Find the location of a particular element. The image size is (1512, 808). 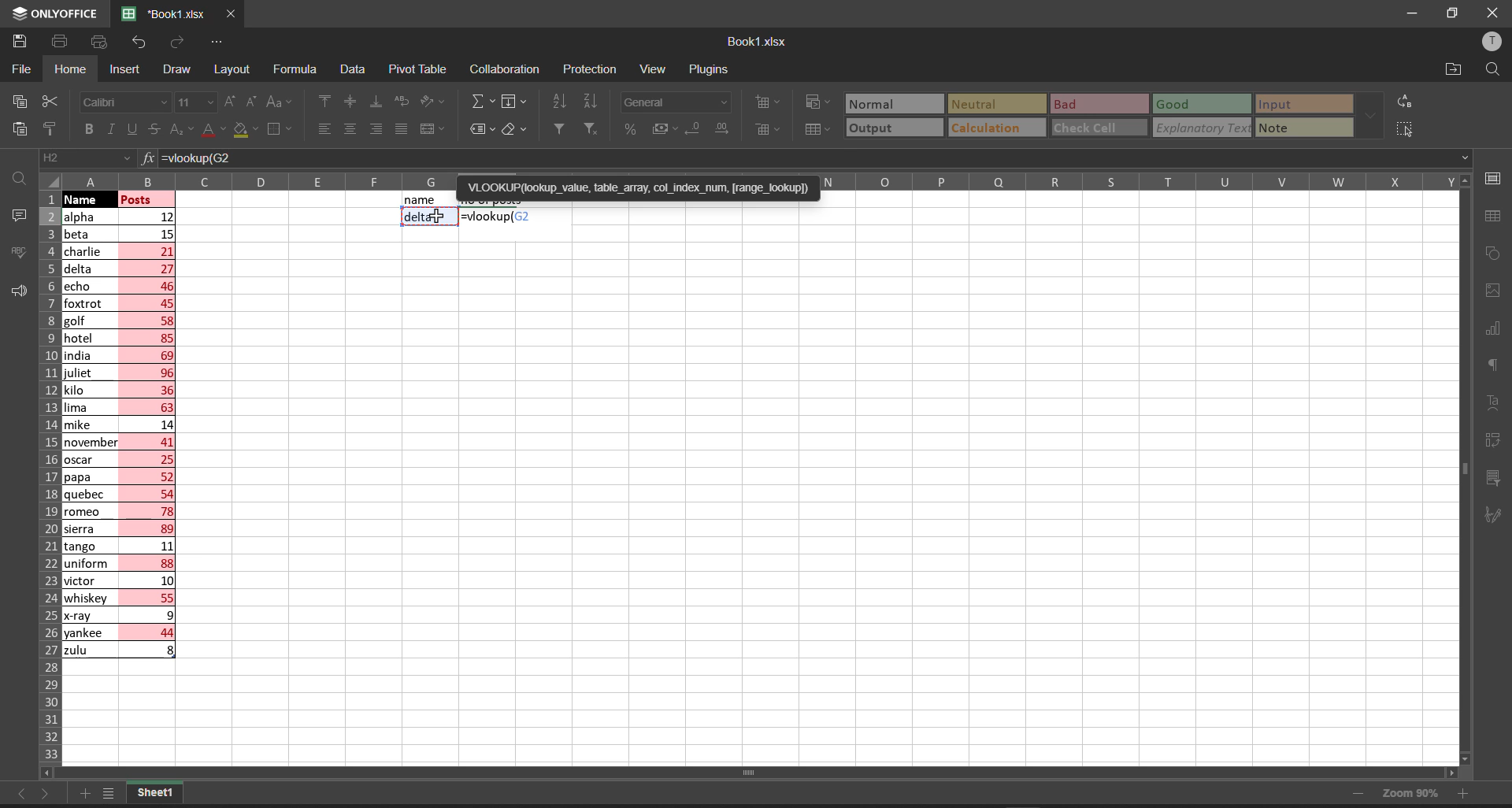

strikethrough is located at coordinates (154, 131).